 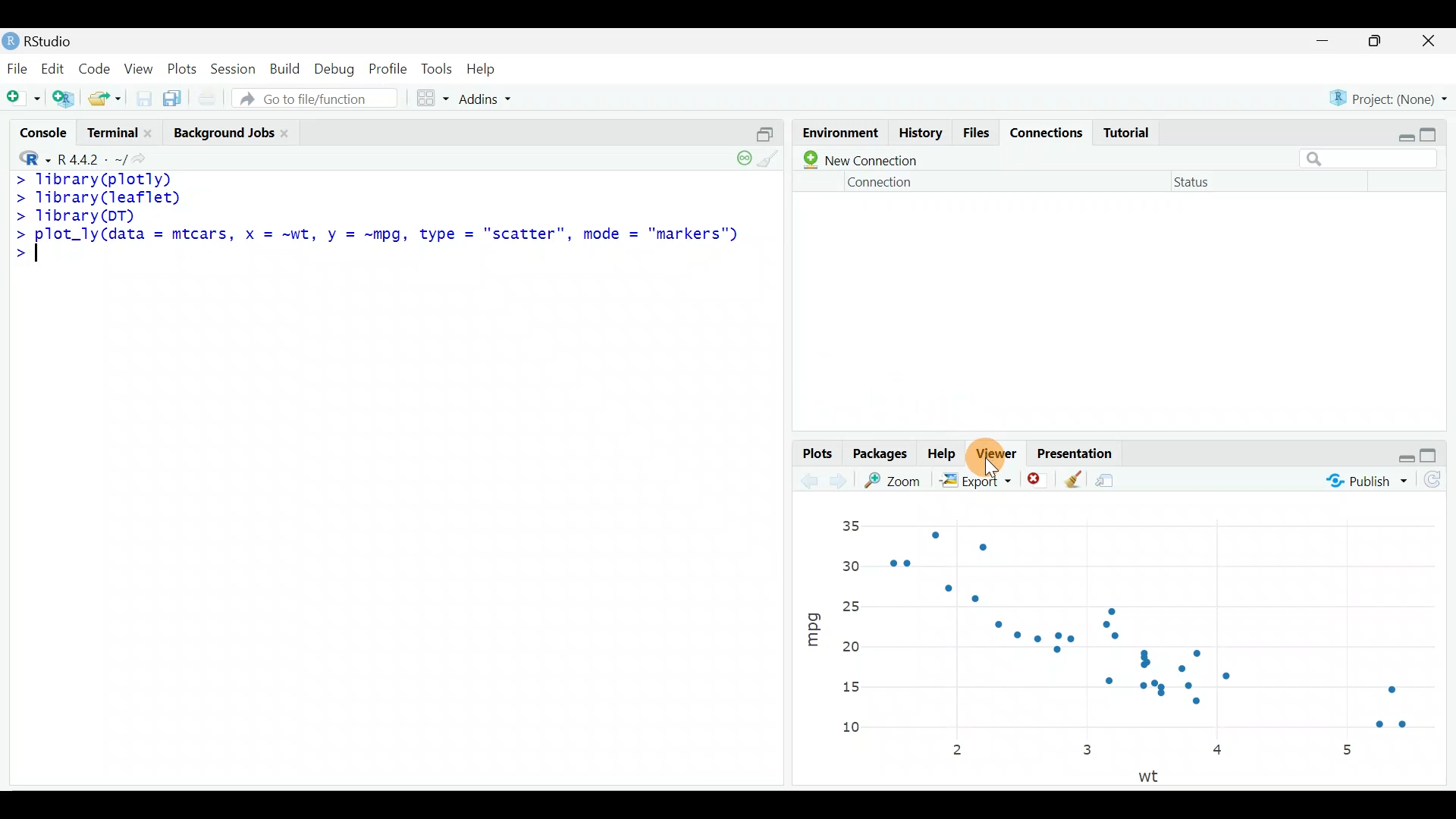 I want to click on > library(plotly), so click(x=99, y=178).